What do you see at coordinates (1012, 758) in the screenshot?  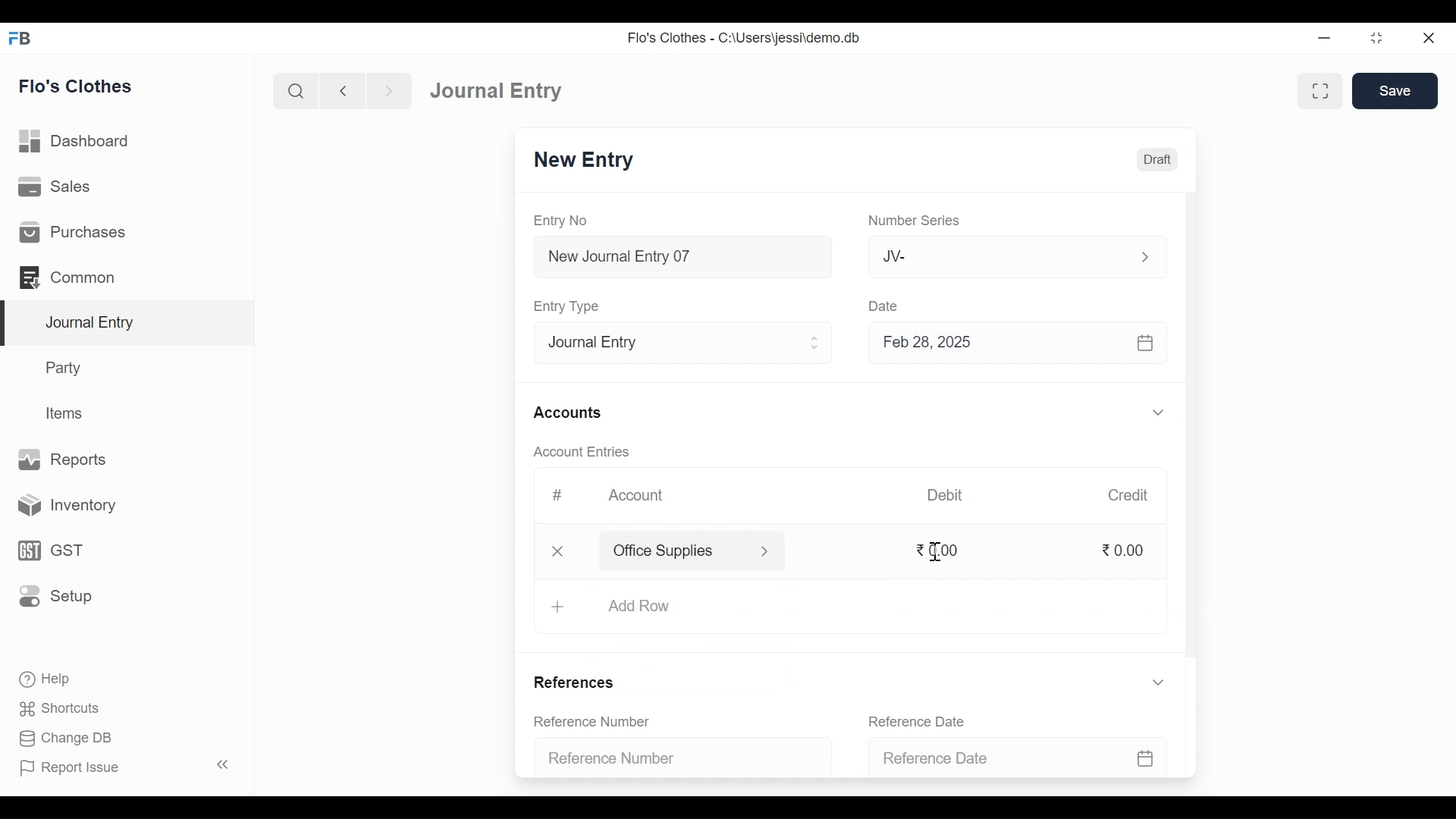 I see `Reference Date` at bounding box center [1012, 758].